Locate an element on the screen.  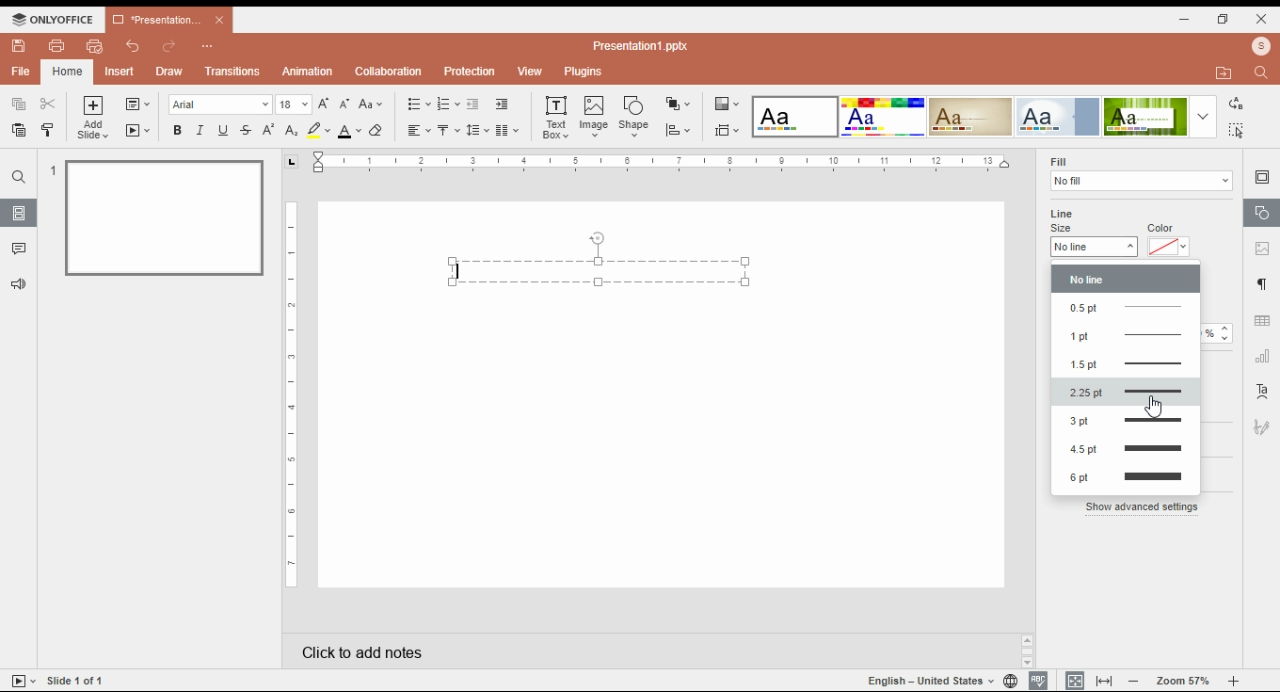
italics is located at coordinates (200, 130).